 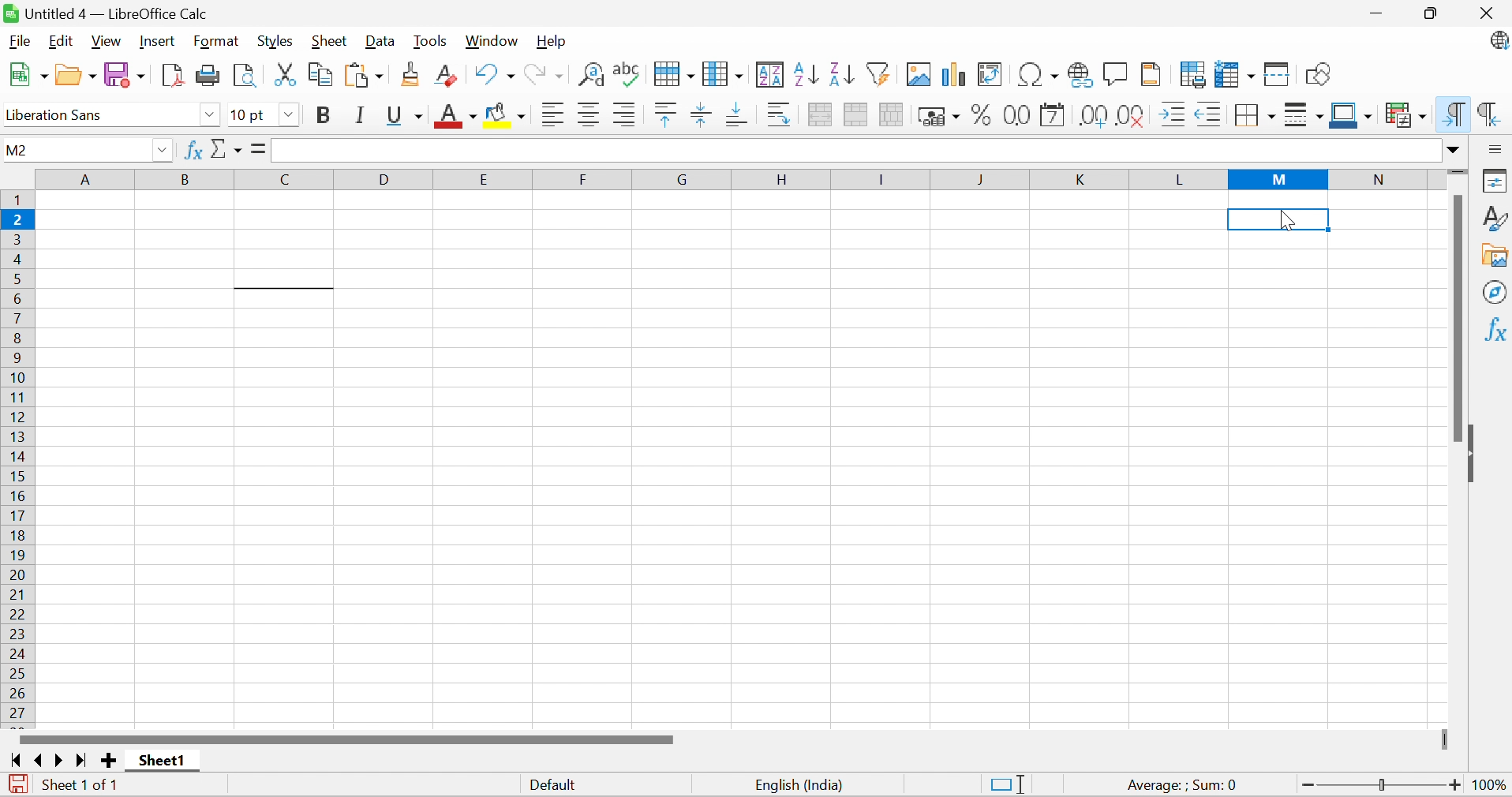 What do you see at coordinates (1008, 784) in the screenshot?
I see `Standard selection. Click to change selection mode.` at bounding box center [1008, 784].